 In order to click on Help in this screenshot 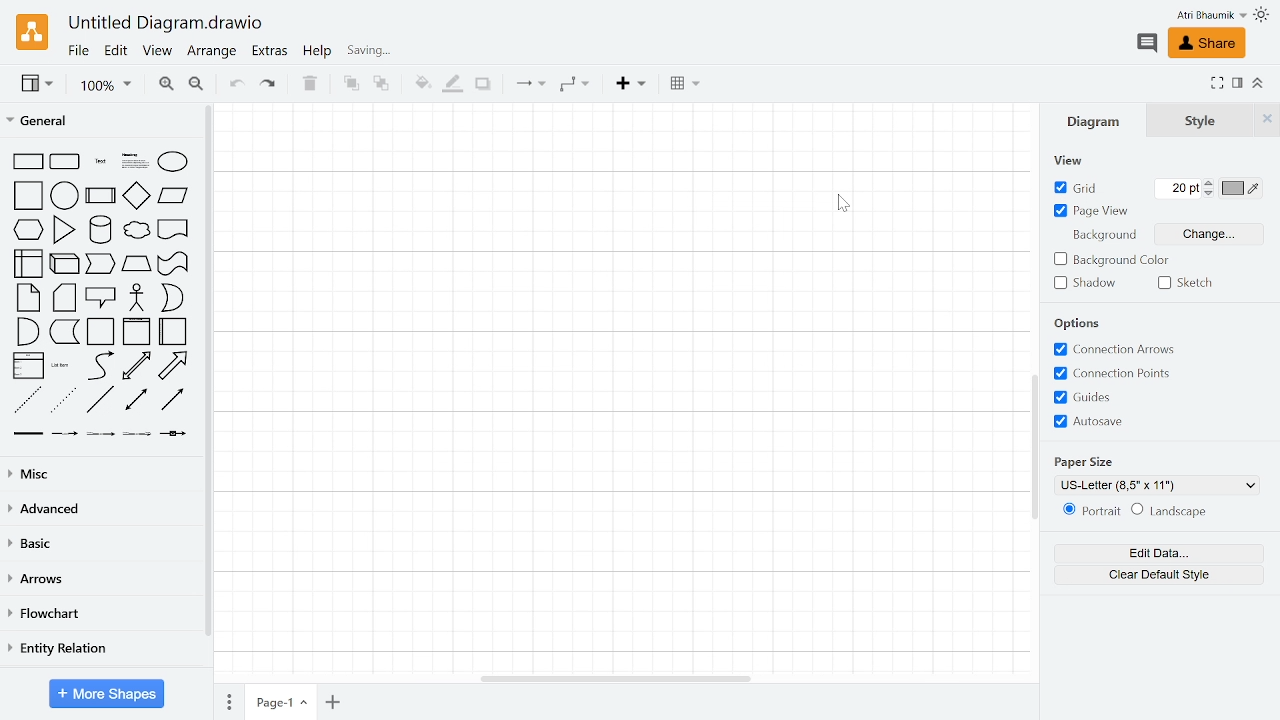, I will do `click(320, 53)`.